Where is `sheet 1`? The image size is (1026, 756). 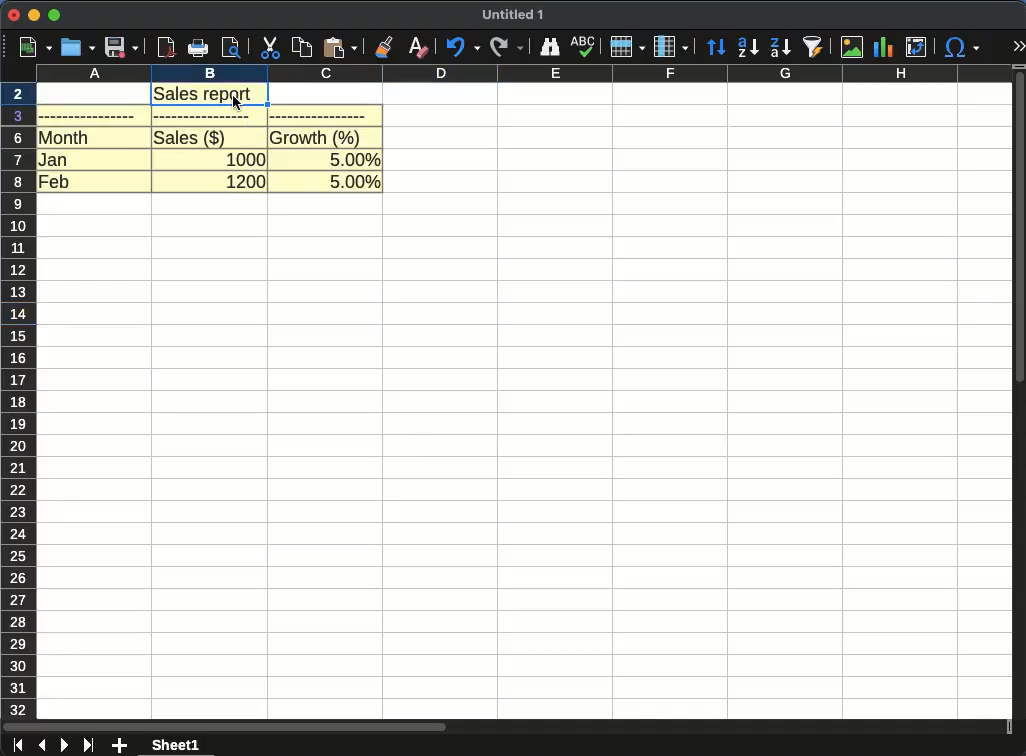 sheet 1 is located at coordinates (176, 745).